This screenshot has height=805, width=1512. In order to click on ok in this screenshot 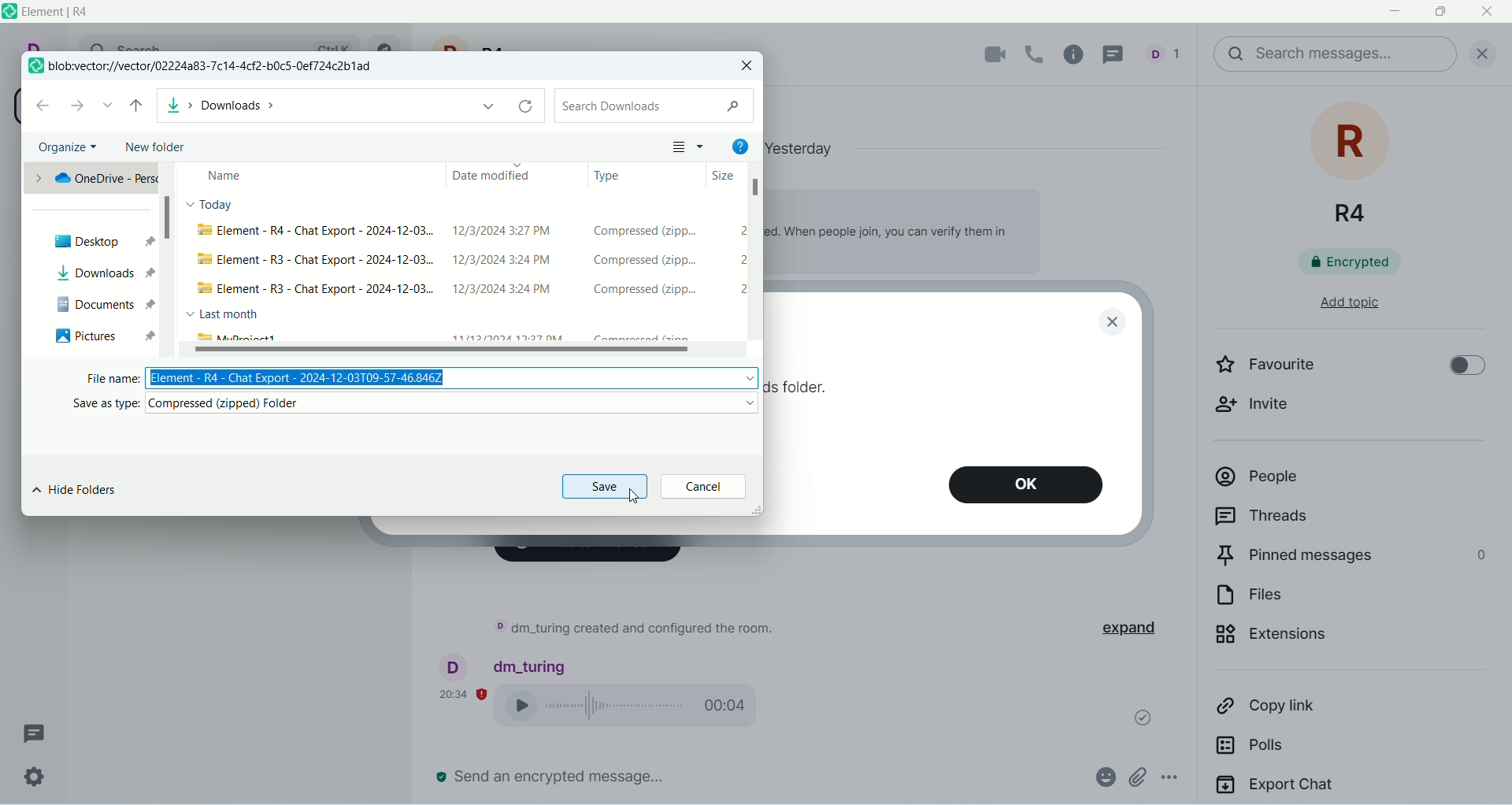, I will do `click(1032, 488)`.